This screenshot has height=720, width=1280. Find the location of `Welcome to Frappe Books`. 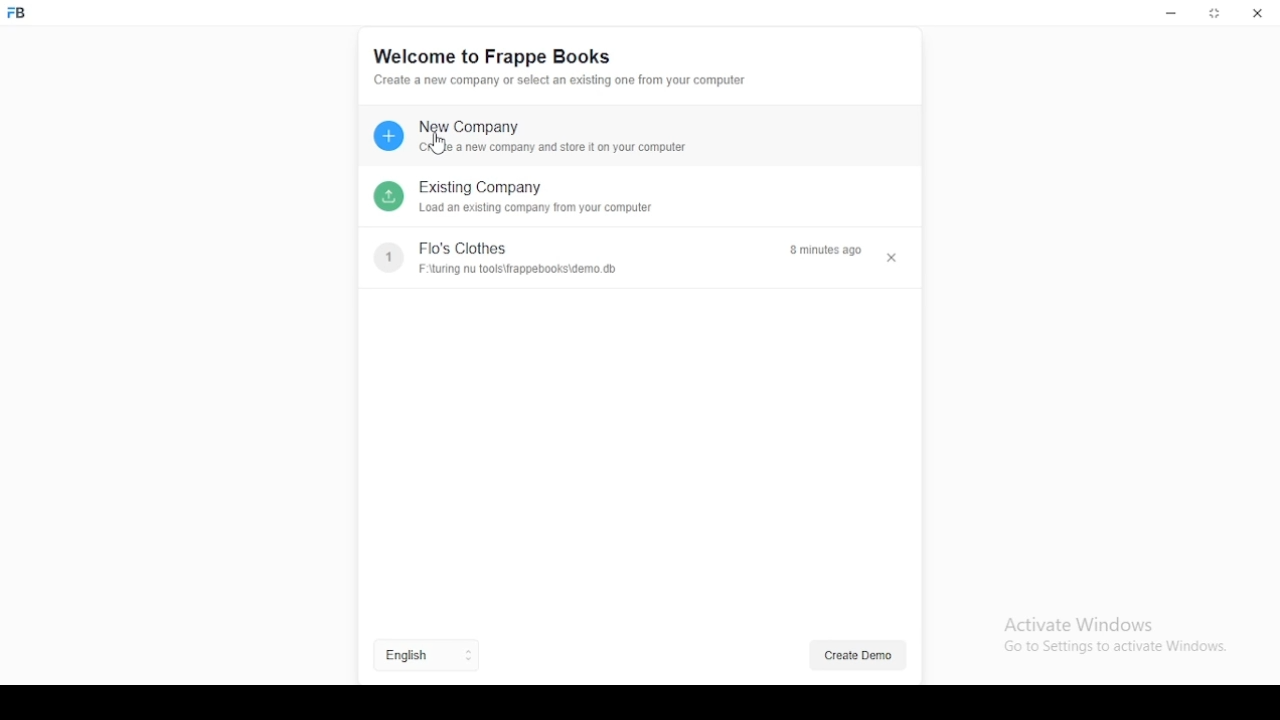

Welcome to Frappe Books is located at coordinates (490, 56).